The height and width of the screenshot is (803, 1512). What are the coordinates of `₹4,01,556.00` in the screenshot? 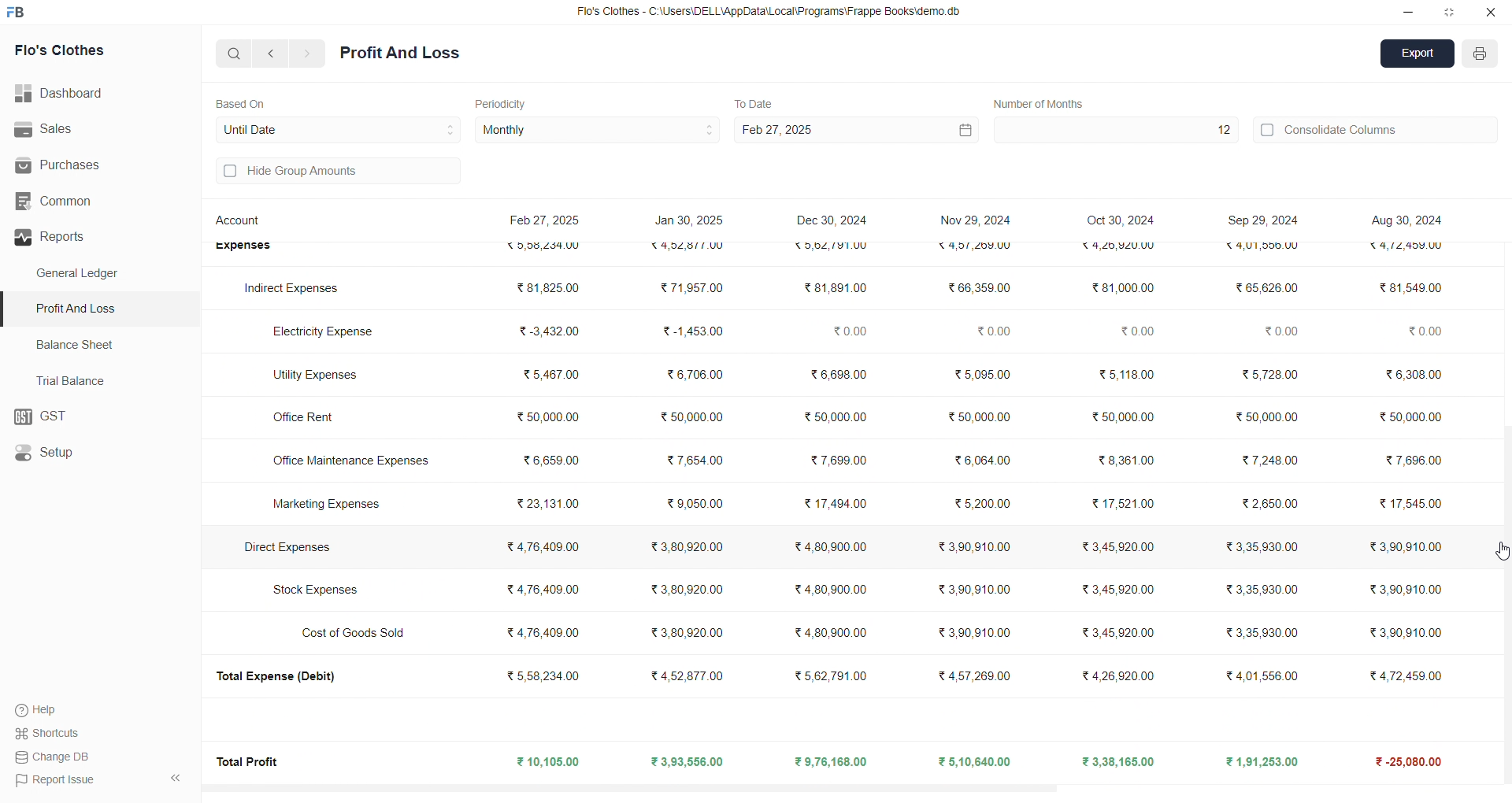 It's located at (1256, 249).